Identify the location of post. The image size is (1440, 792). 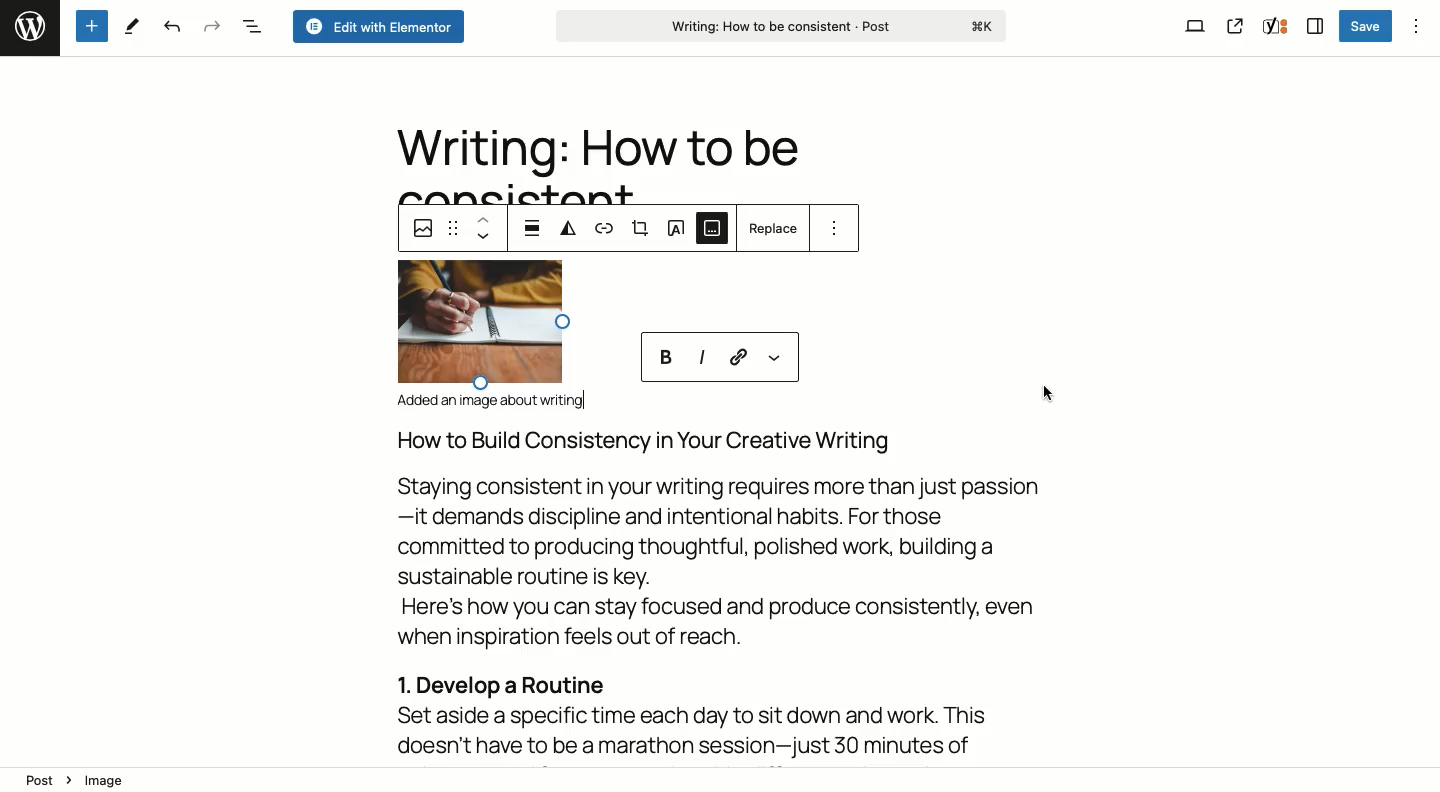
(40, 781).